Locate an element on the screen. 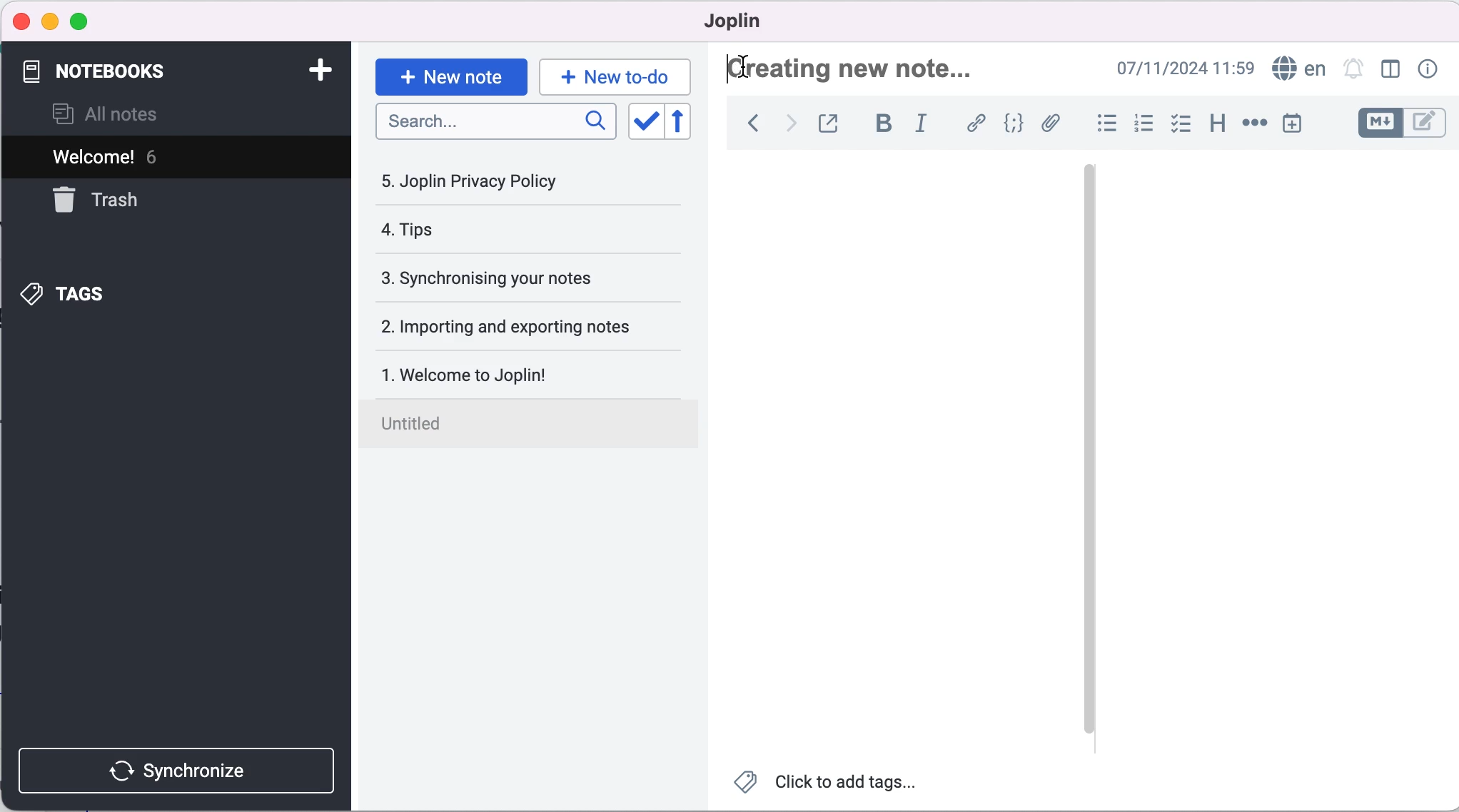 Image resolution: width=1459 pixels, height=812 pixels. toggle editors is located at coordinates (1400, 123).